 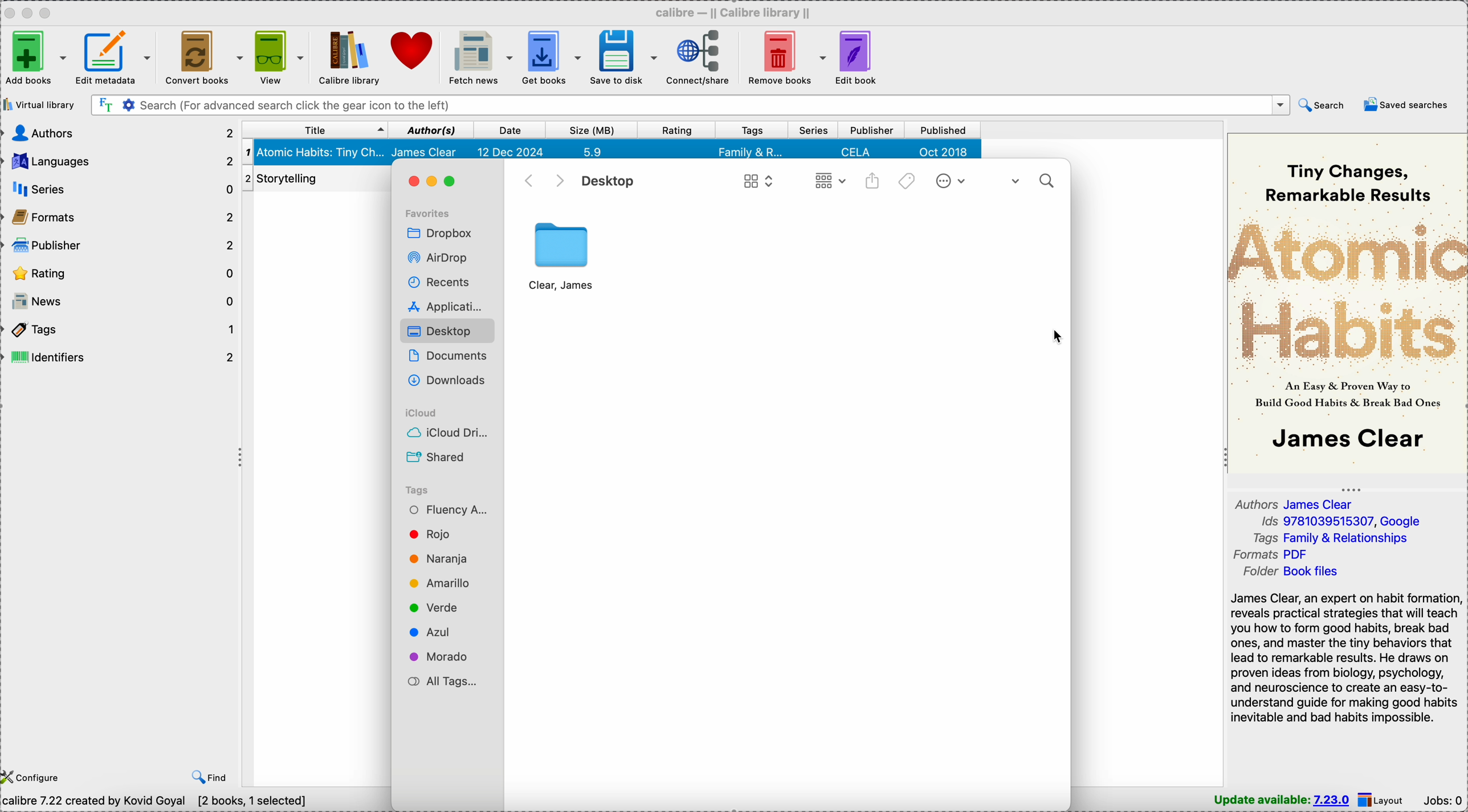 What do you see at coordinates (608, 181) in the screenshot?
I see `location/Desktop` at bounding box center [608, 181].